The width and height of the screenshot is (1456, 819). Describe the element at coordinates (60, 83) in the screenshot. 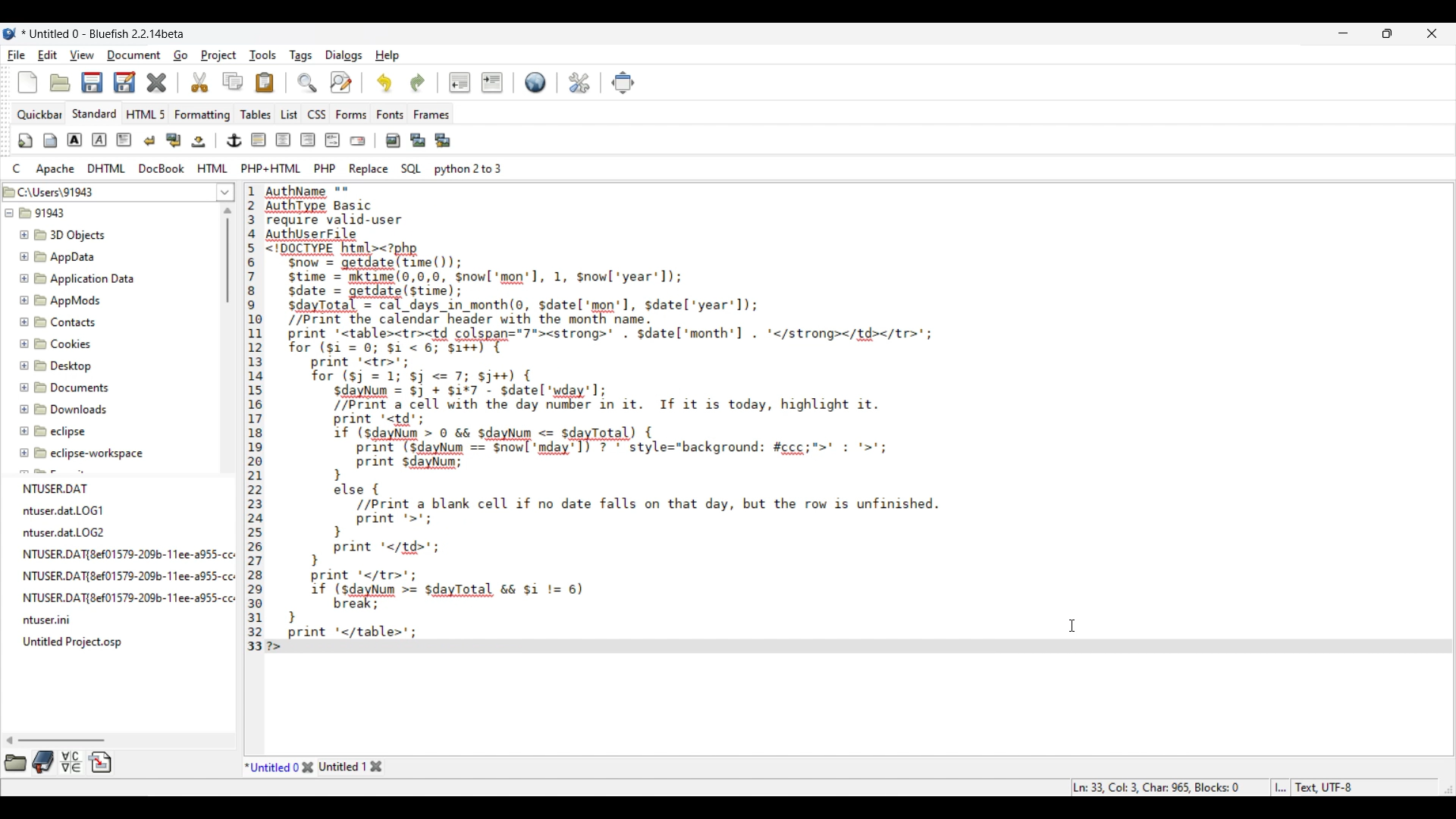

I see `Open` at that location.